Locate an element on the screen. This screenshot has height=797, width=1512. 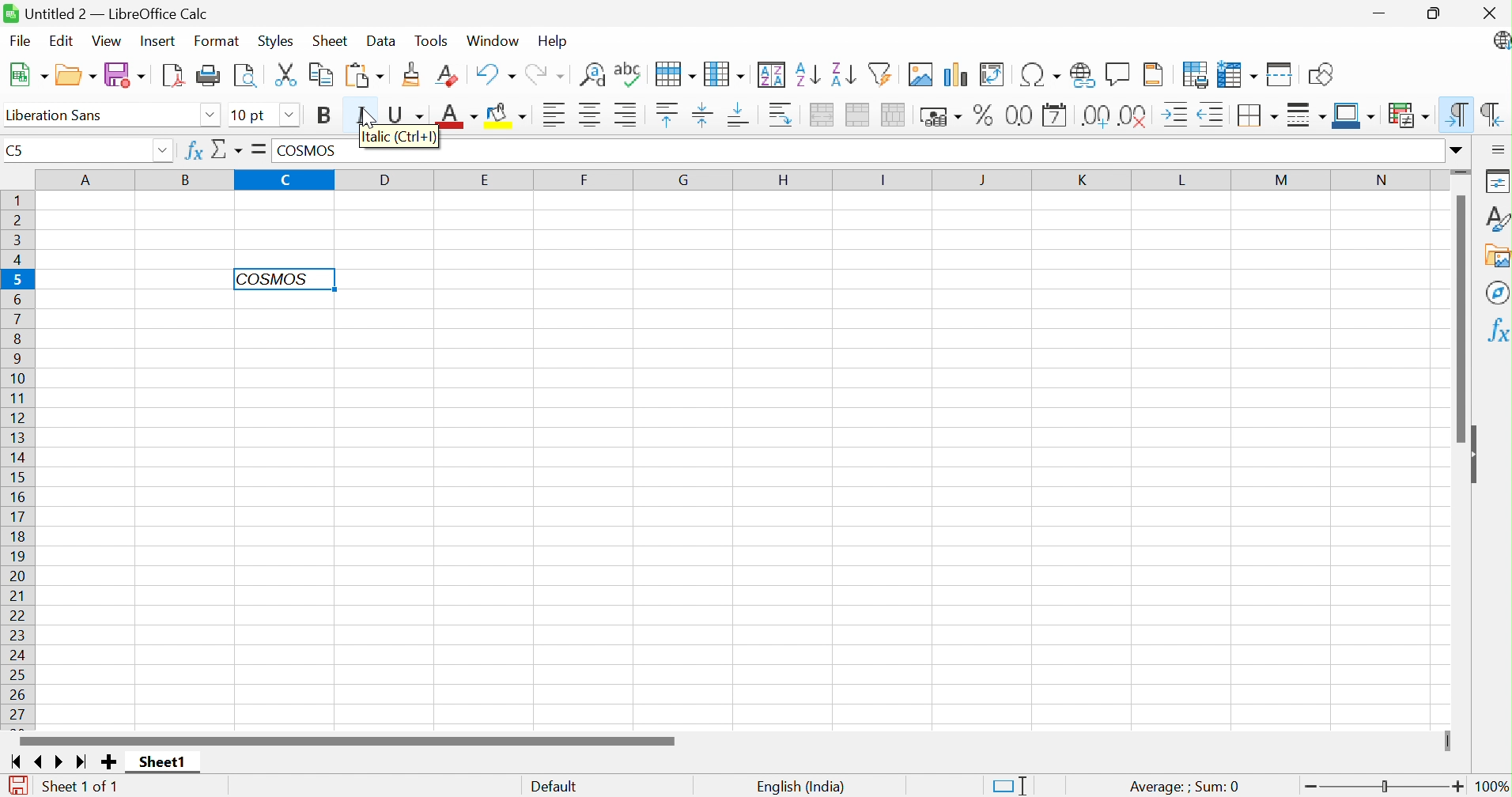
Functions is located at coordinates (1495, 331).